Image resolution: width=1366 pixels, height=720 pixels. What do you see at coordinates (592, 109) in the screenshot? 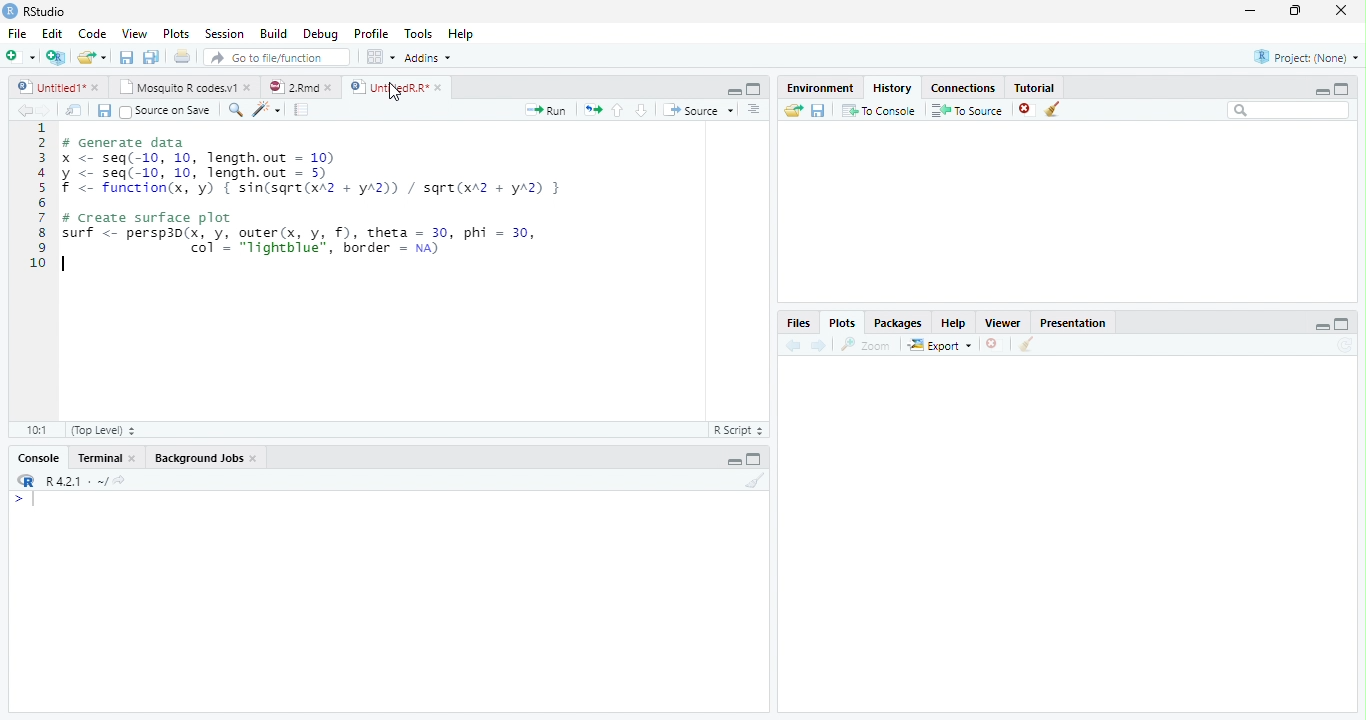
I see `Re-run the previous code region` at bounding box center [592, 109].